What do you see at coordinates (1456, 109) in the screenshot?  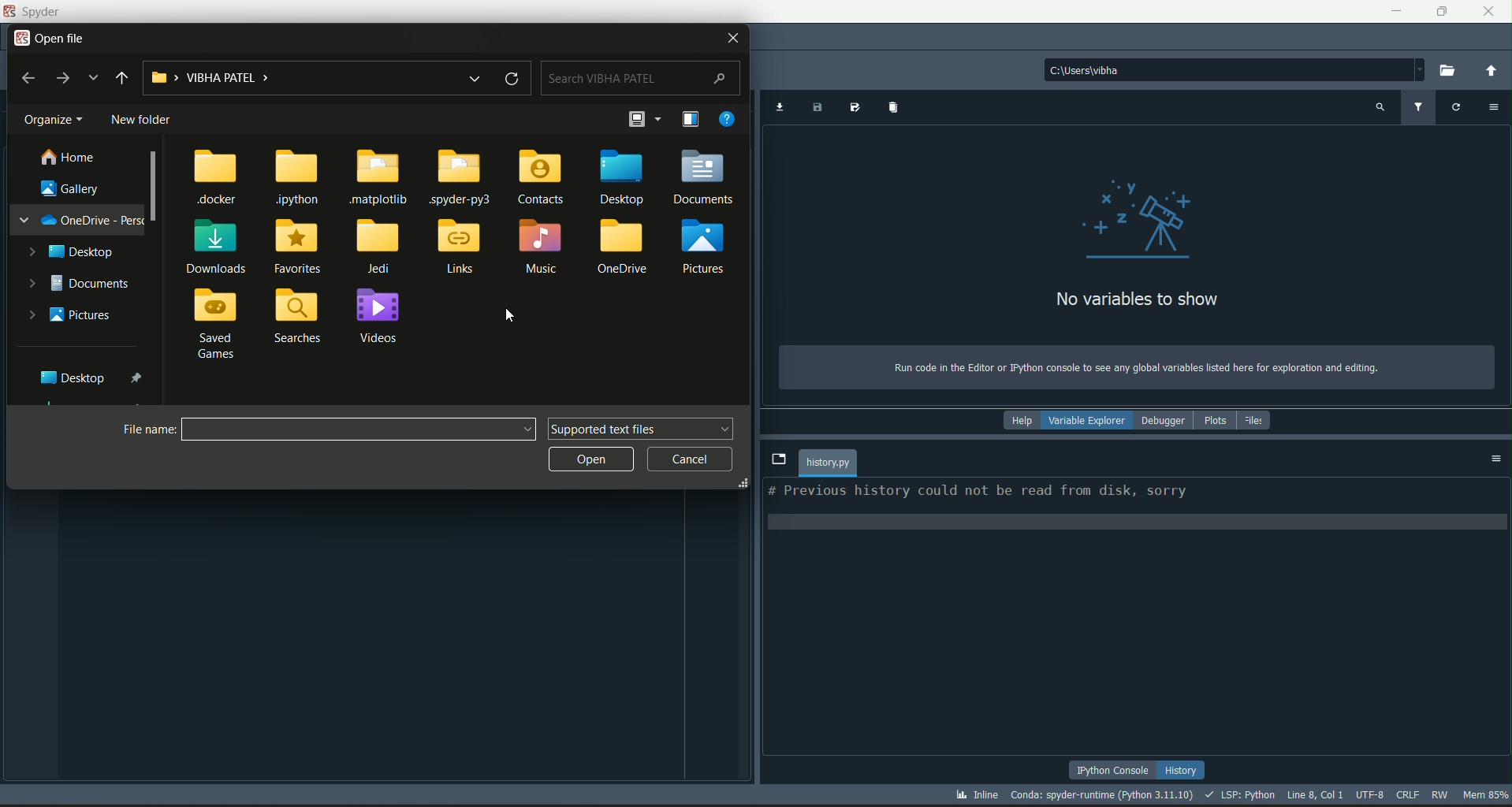 I see `refresh variable` at bounding box center [1456, 109].